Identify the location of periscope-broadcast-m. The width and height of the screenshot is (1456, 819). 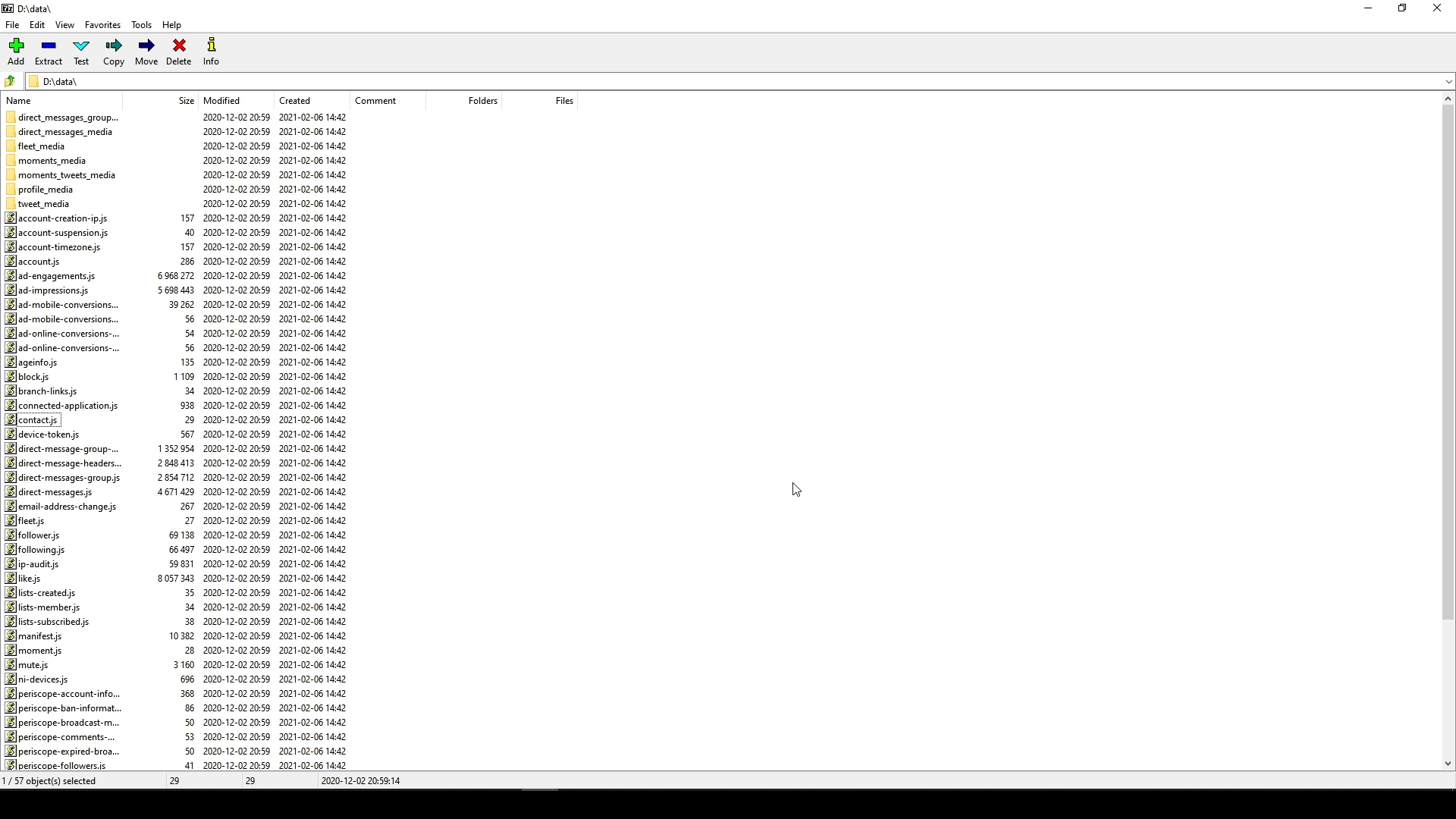
(60, 723).